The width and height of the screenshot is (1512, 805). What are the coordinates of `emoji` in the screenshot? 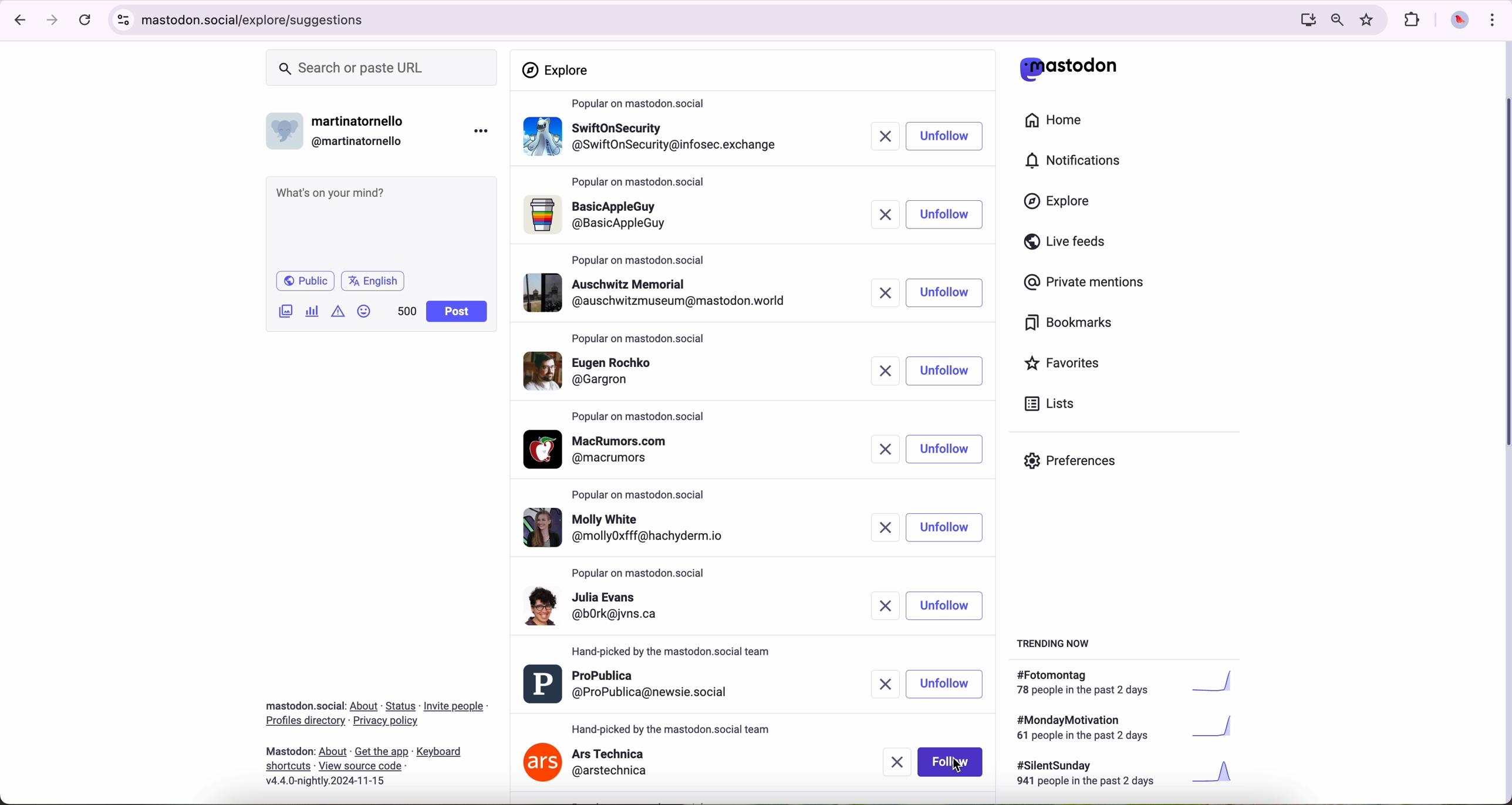 It's located at (365, 311).